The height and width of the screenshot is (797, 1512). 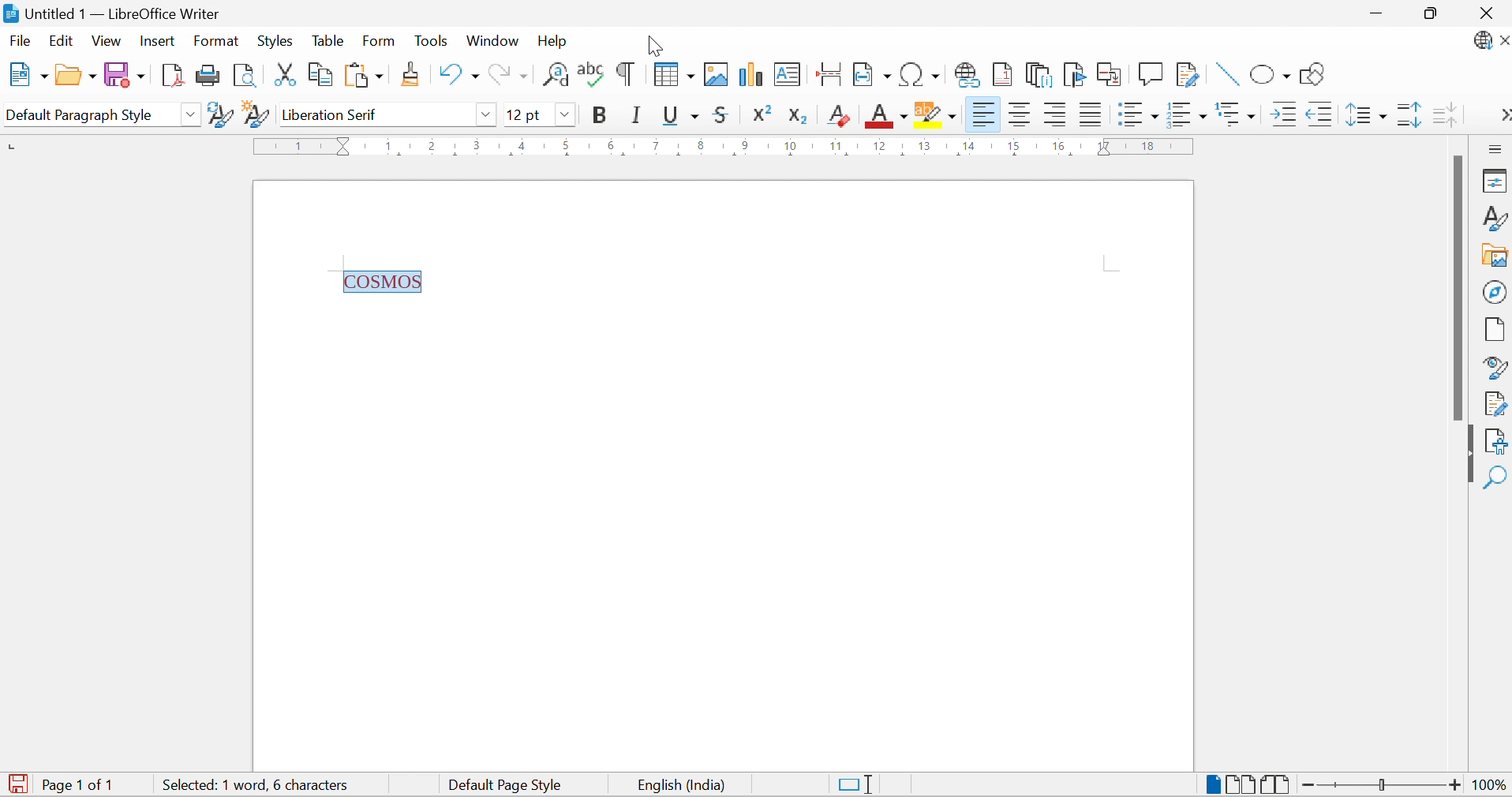 What do you see at coordinates (25, 73) in the screenshot?
I see `New` at bounding box center [25, 73].